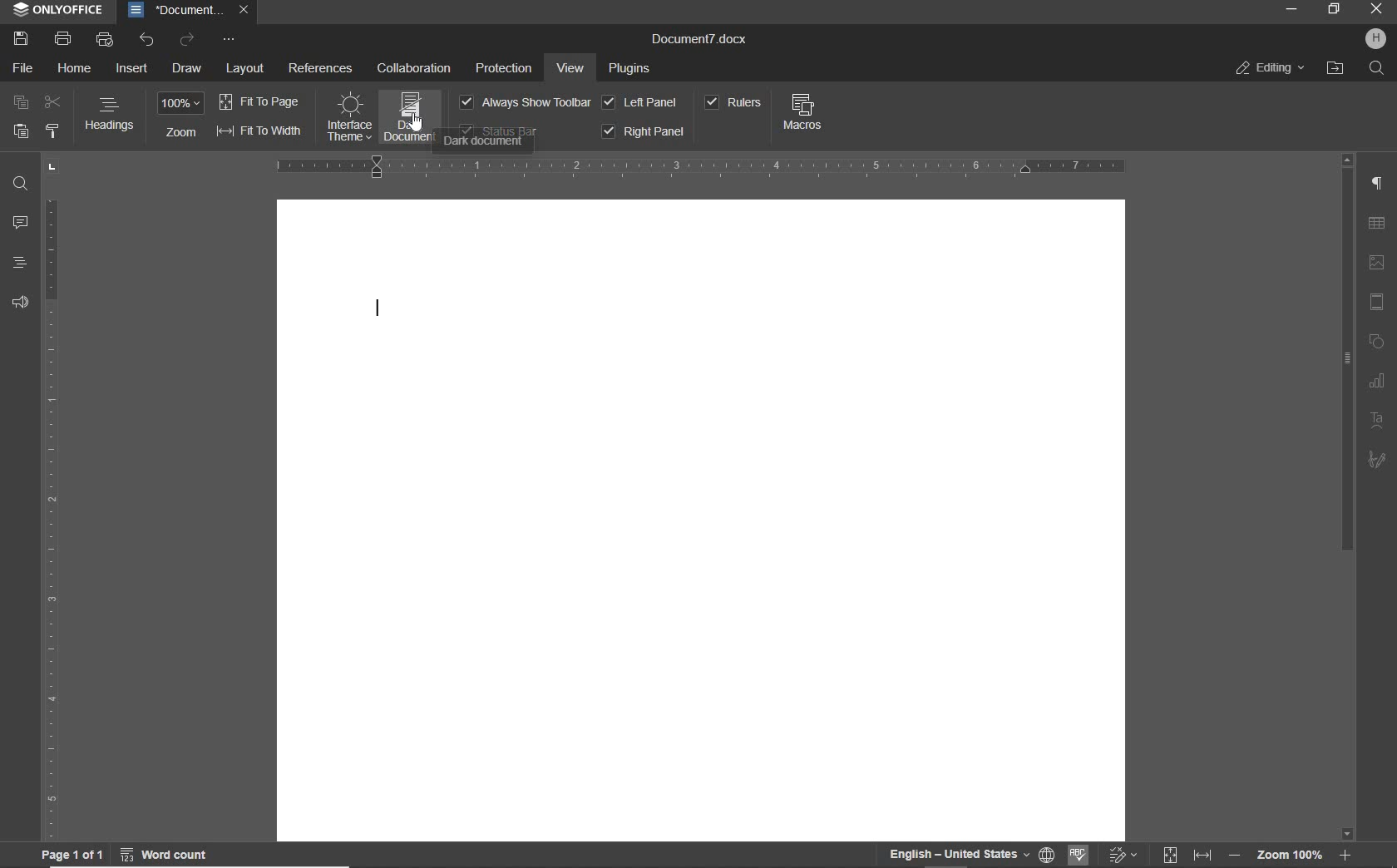  Describe the element at coordinates (803, 115) in the screenshot. I see `MACROS` at that location.